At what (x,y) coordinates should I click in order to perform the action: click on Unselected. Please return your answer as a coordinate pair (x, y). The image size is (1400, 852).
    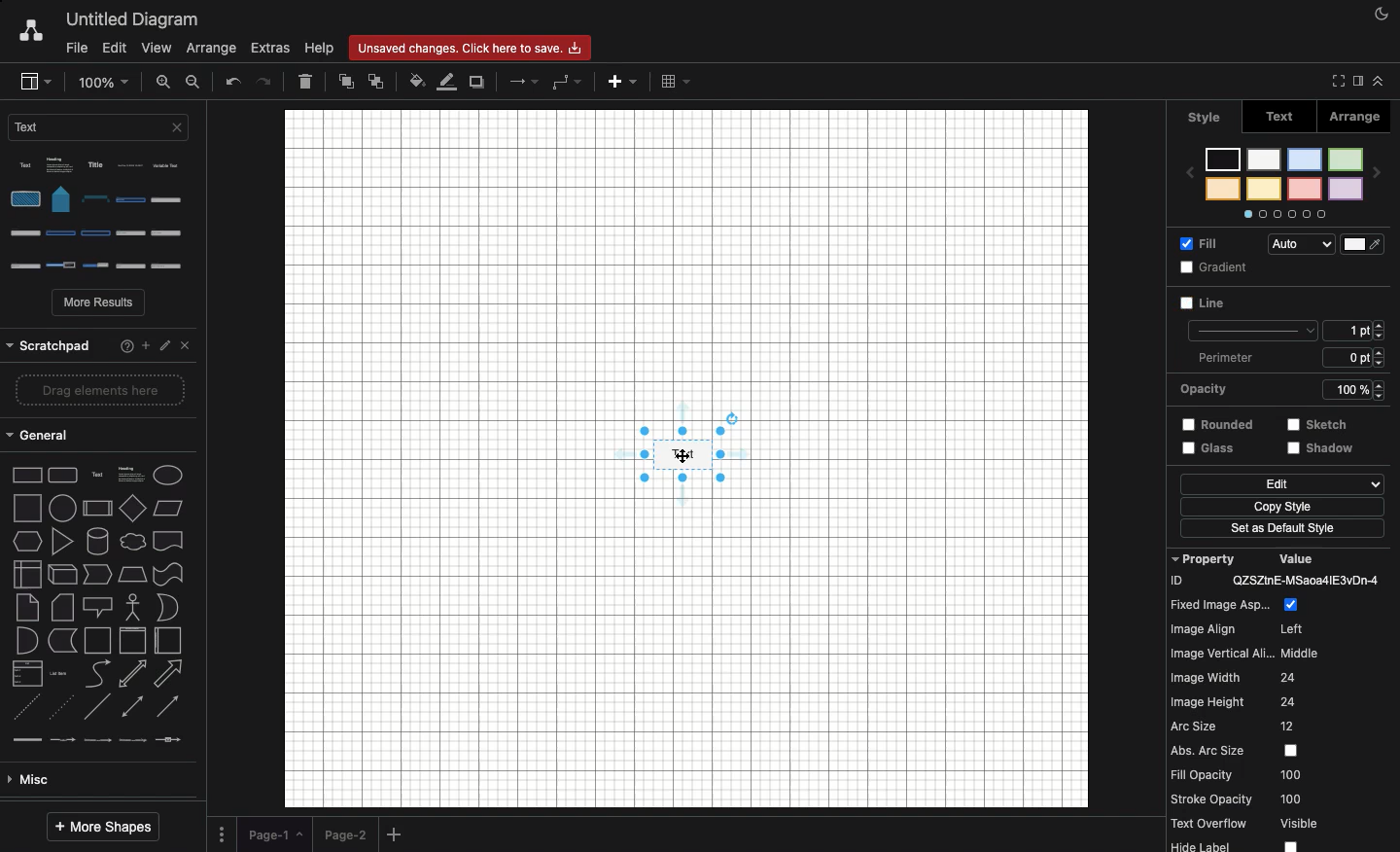
    Looking at the image, I should click on (1204, 307).